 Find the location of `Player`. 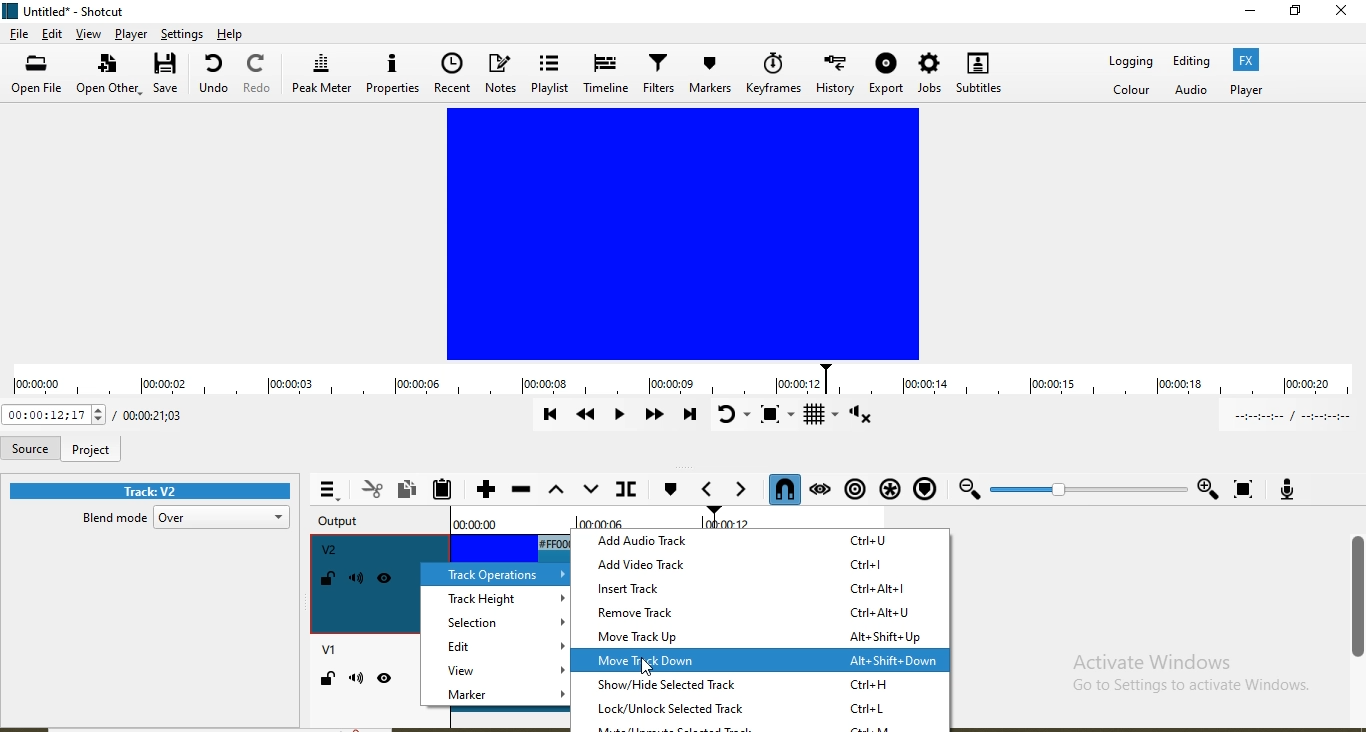

Player is located at coordinates (1243, 90).